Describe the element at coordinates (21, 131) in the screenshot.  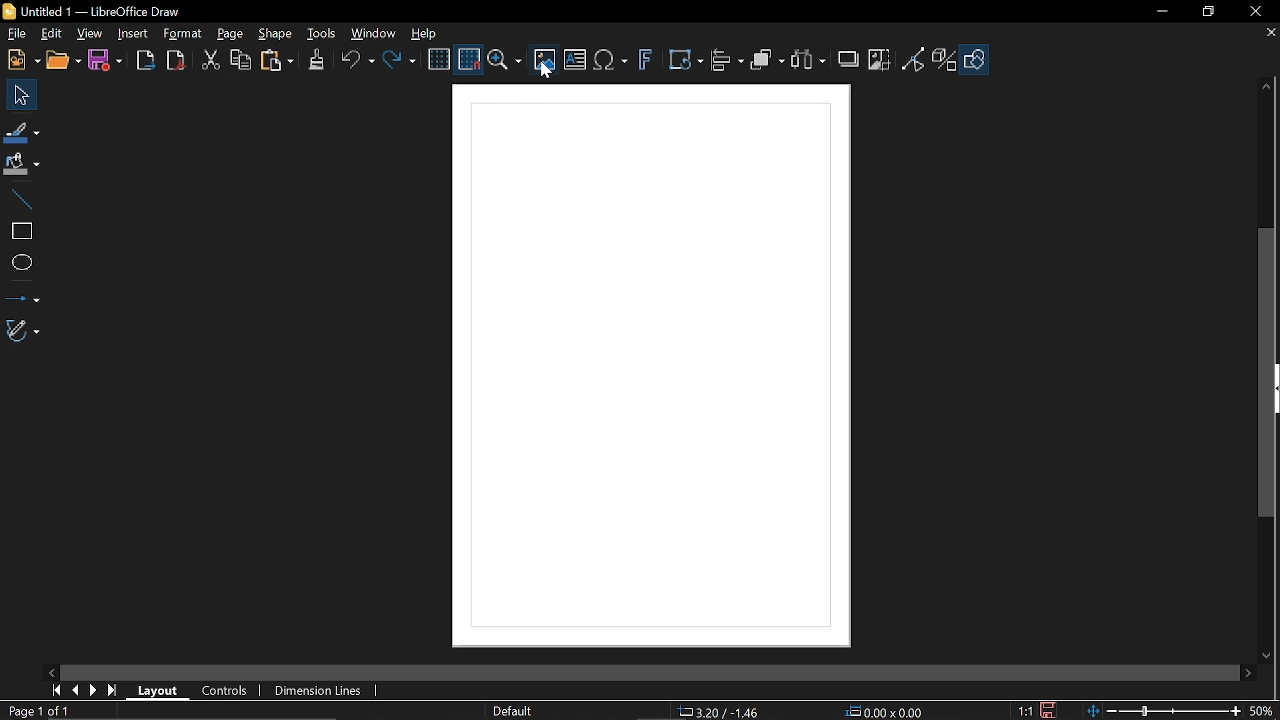
I see `Line color` at that location.